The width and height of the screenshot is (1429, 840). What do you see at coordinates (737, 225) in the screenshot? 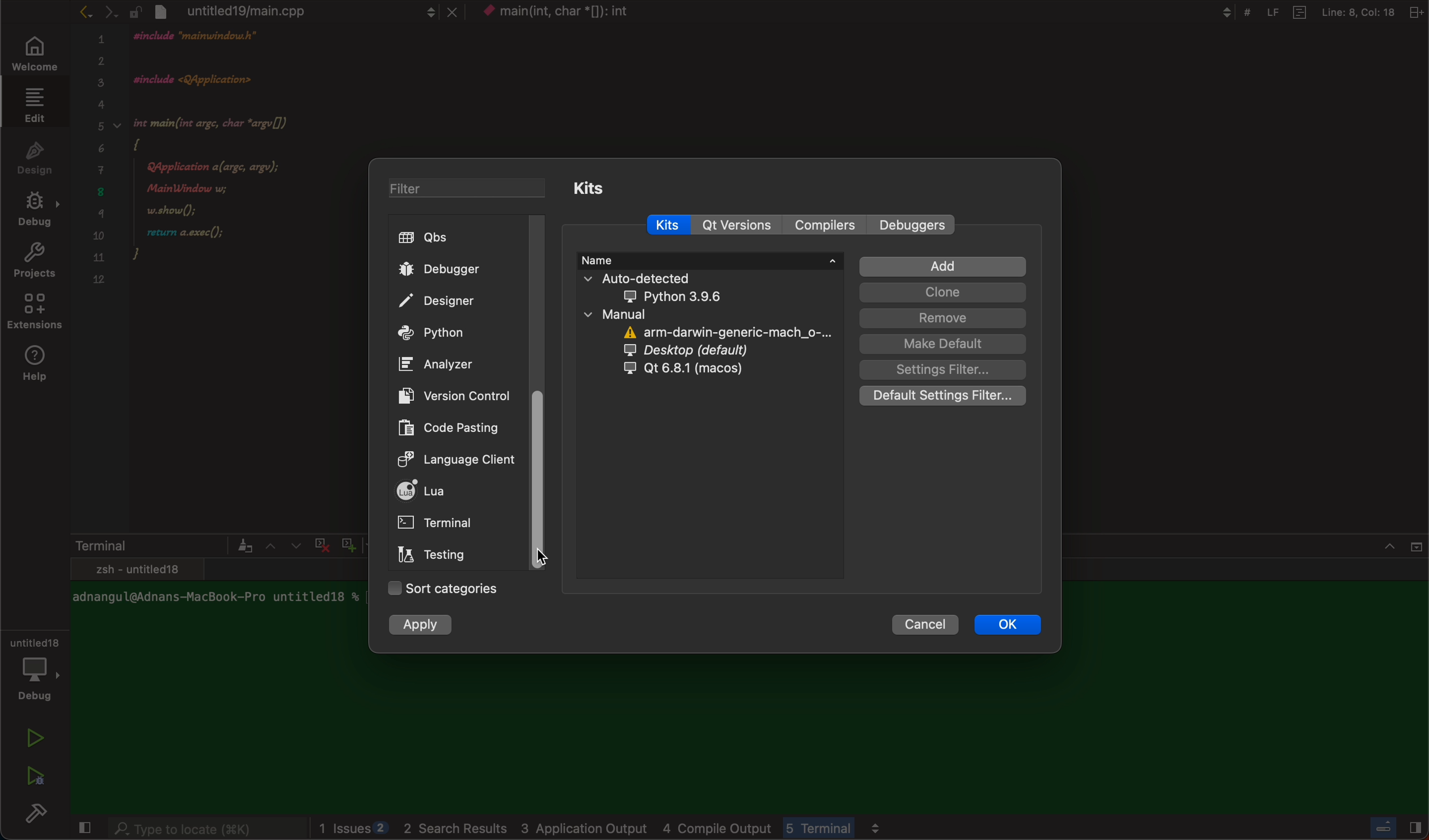
I see `qt versions` at bounding box center [737, 225].